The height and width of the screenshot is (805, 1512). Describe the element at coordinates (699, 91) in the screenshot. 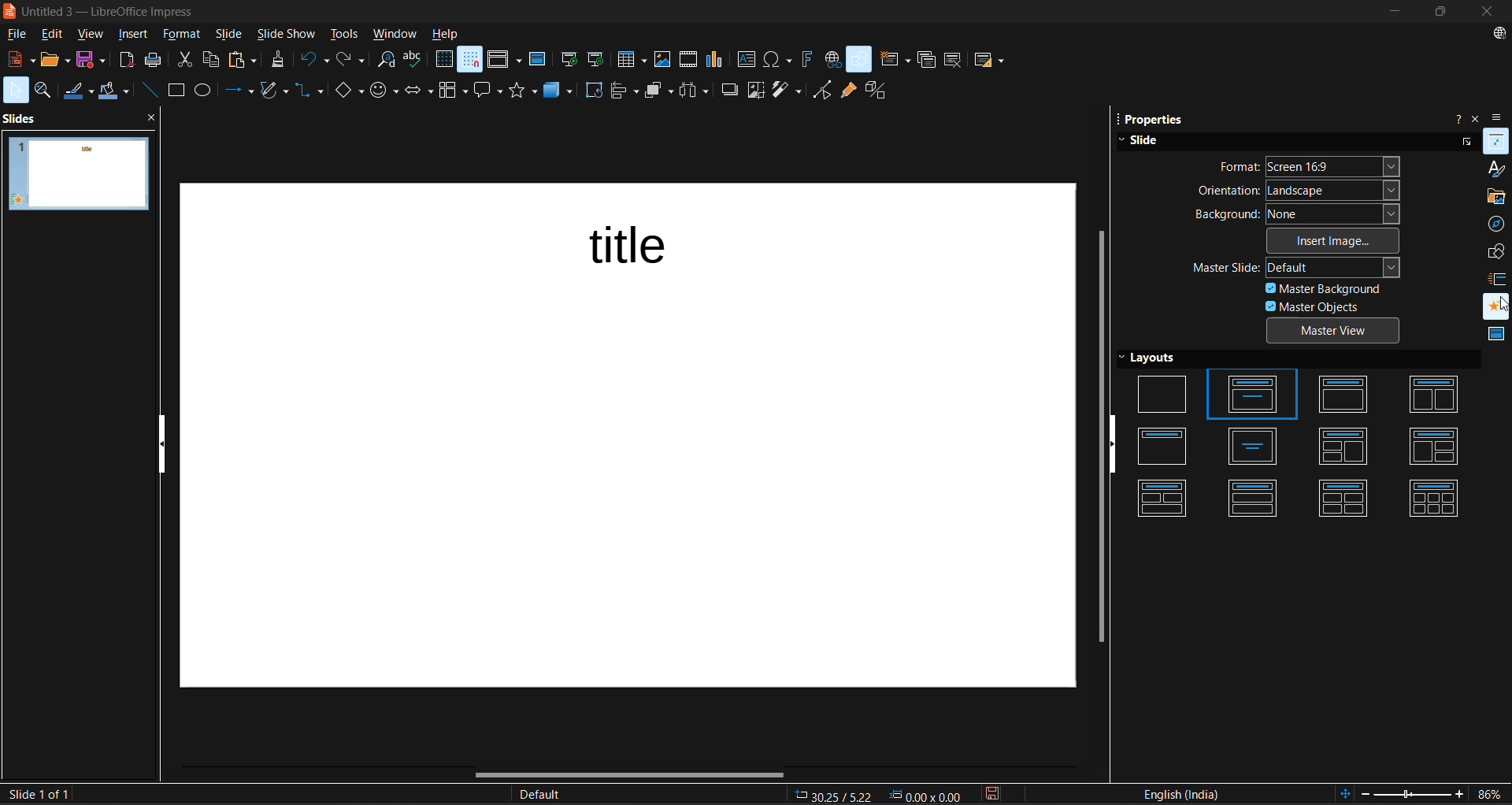

I see `distribute` at that location.